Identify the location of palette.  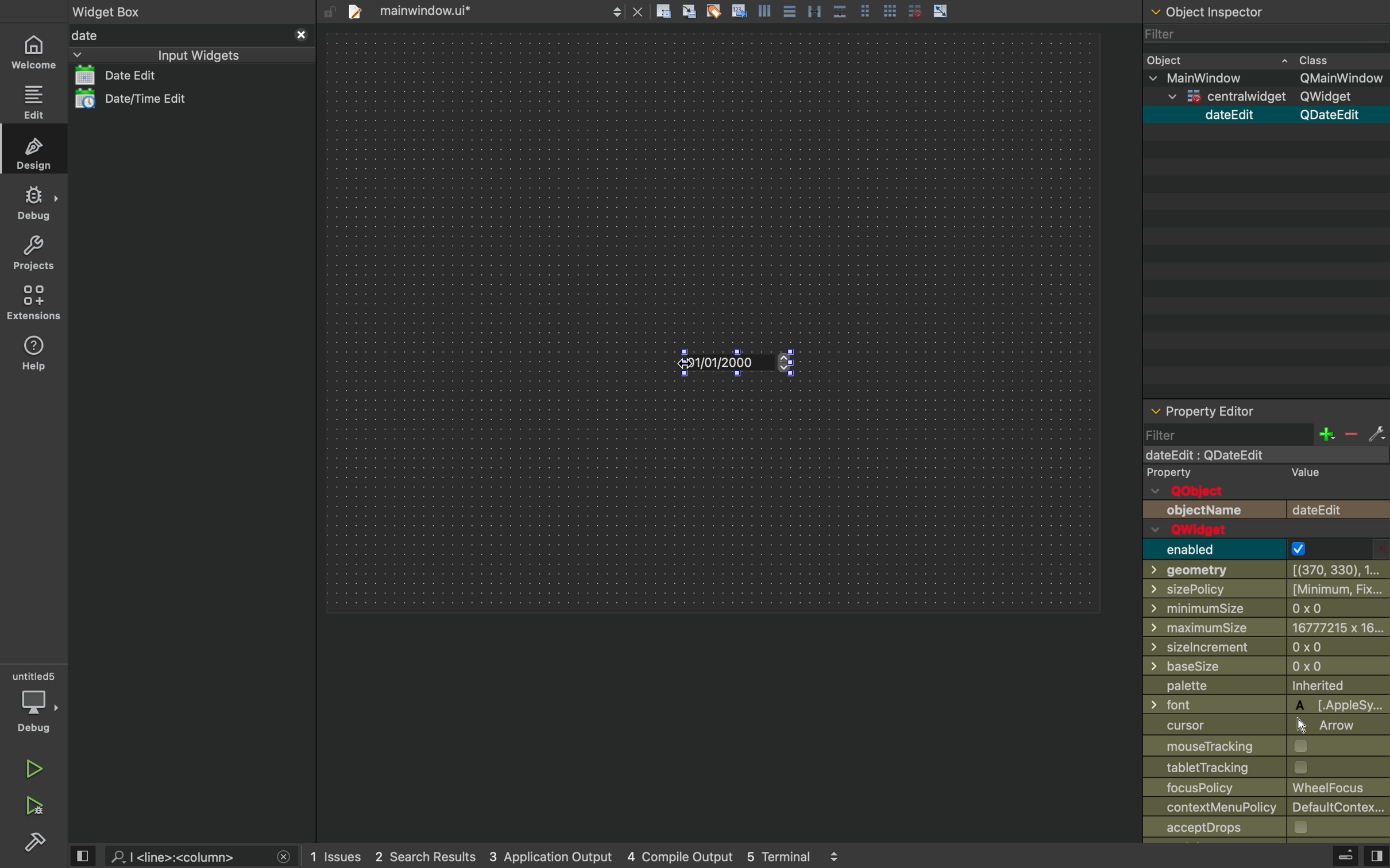
(1266, 687).